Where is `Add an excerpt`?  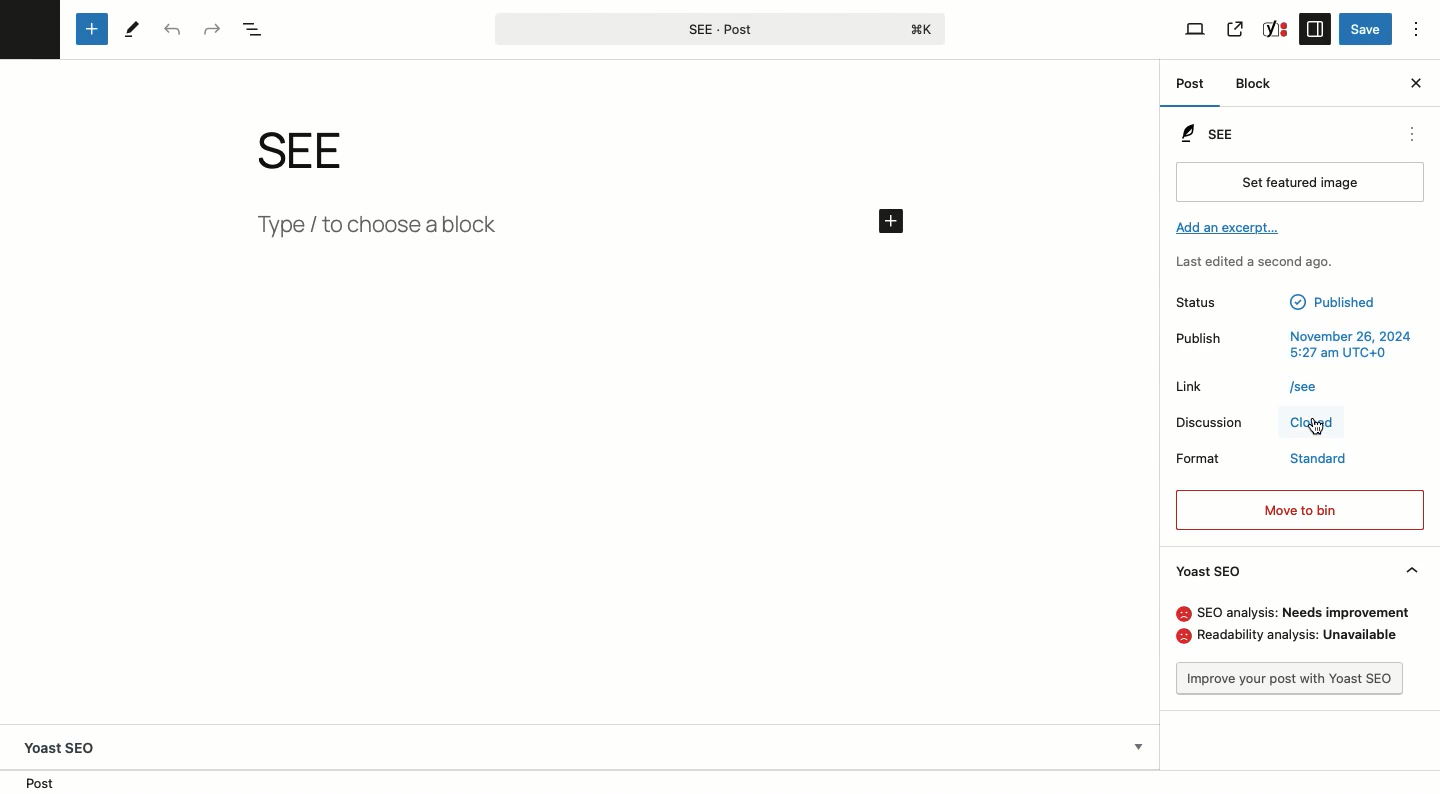 Add an excerpt is located at coordinates (1231, 228).